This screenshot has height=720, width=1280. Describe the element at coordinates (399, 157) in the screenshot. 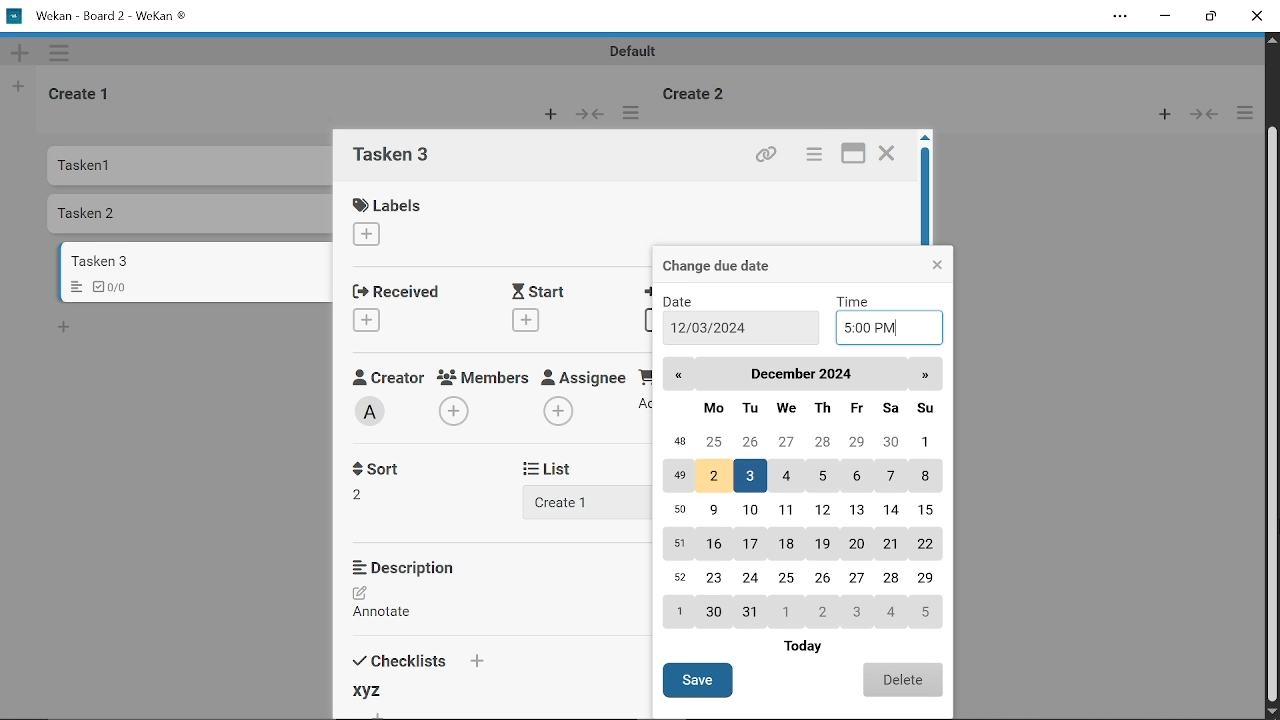

I see `card name` at that location.